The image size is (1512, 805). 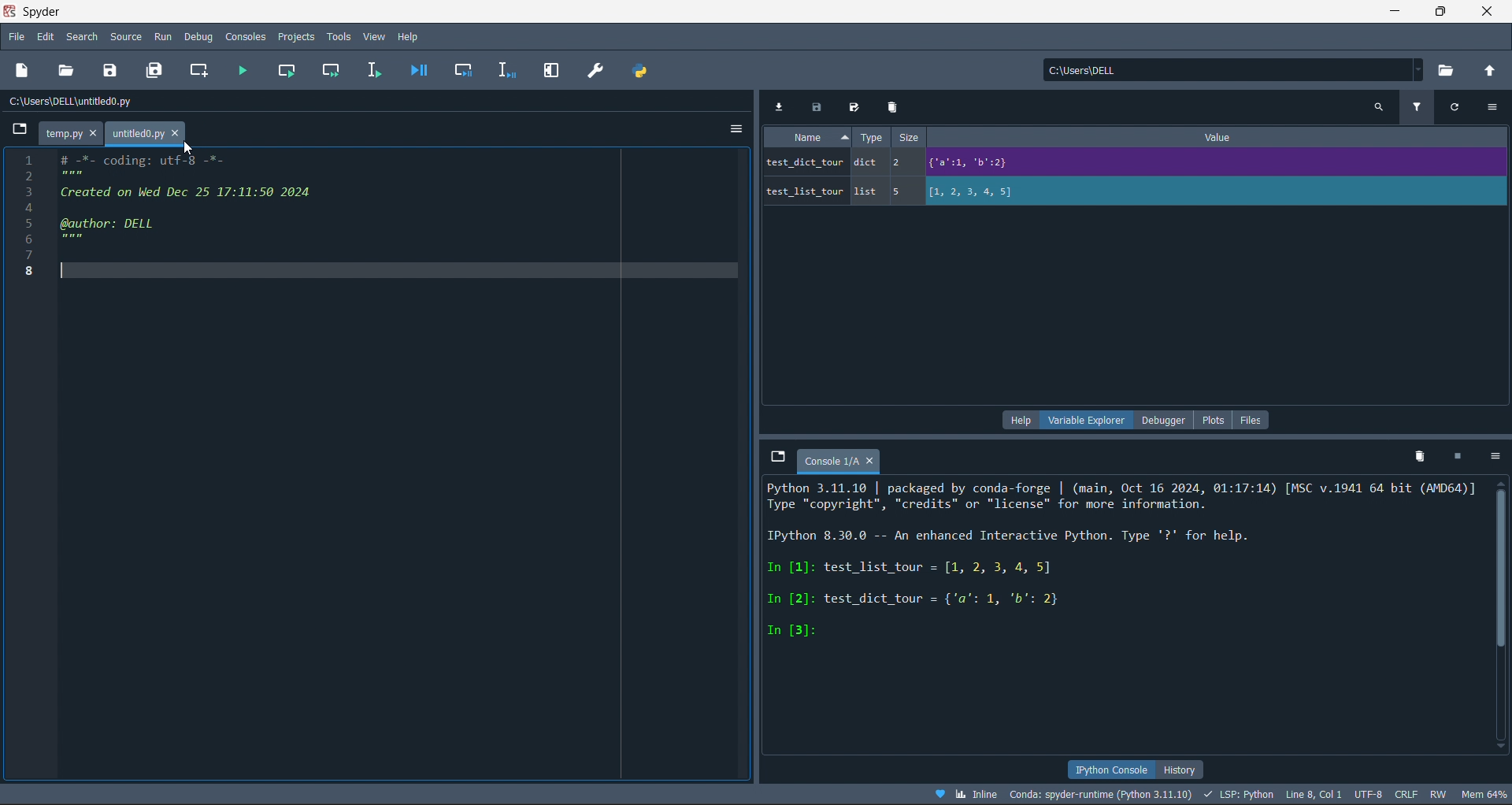 What do you see at coordinates (778, 103) in the screenshot?
I see `import data` at bounding box center [778, 103].